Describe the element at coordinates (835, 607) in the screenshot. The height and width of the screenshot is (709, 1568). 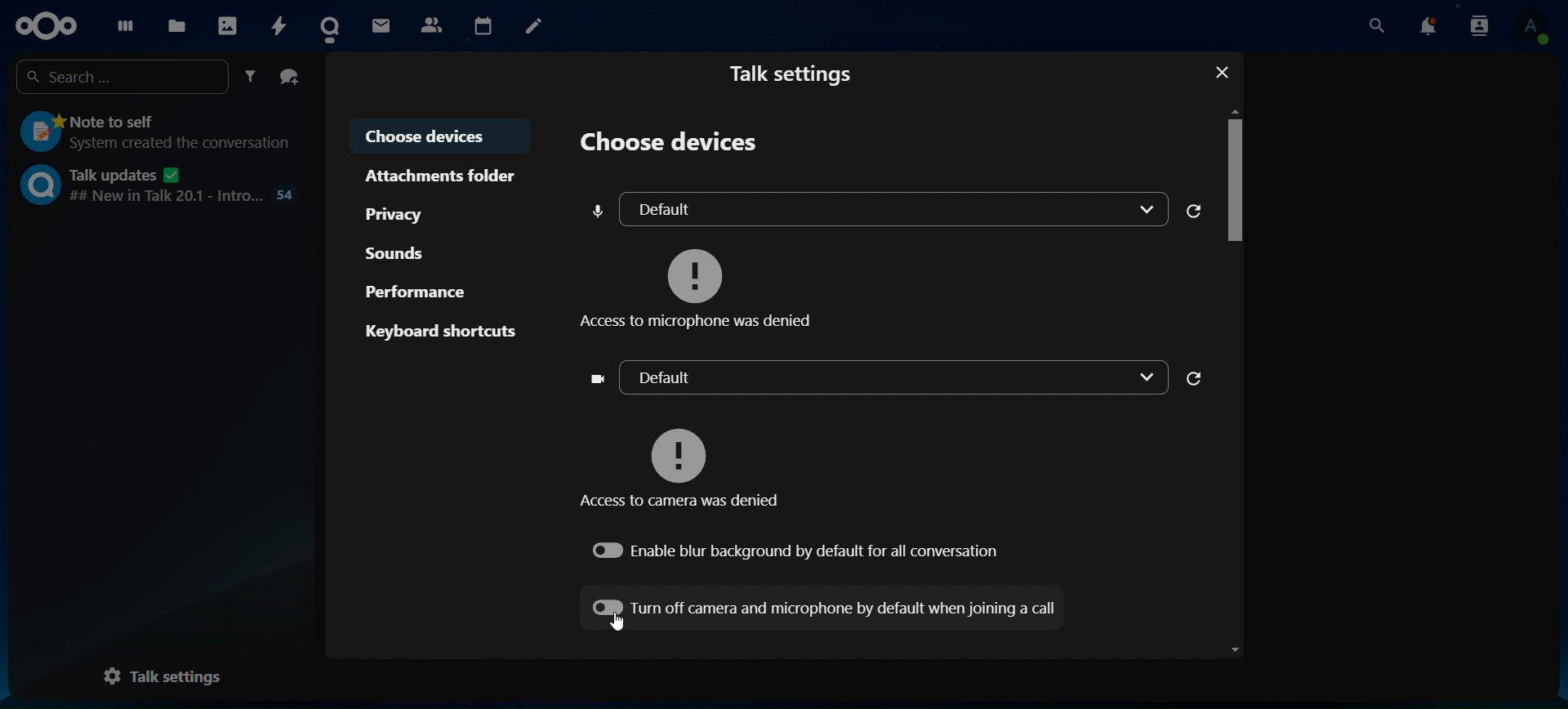
I see `turn off camera and microphone by default when joining a call` at that location.